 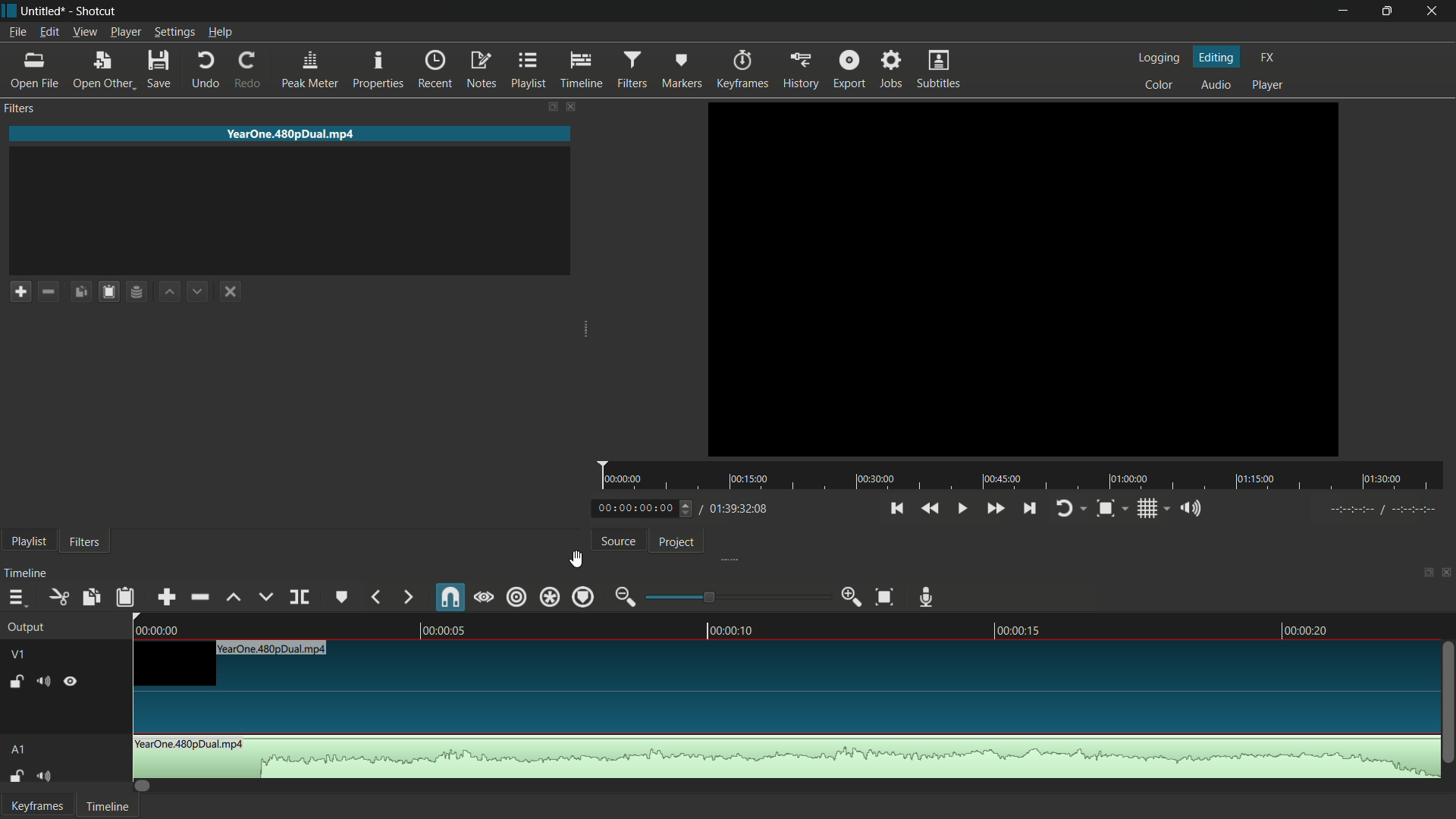 I want to click on zoom timeline to fit, so click(x=883, y=598).